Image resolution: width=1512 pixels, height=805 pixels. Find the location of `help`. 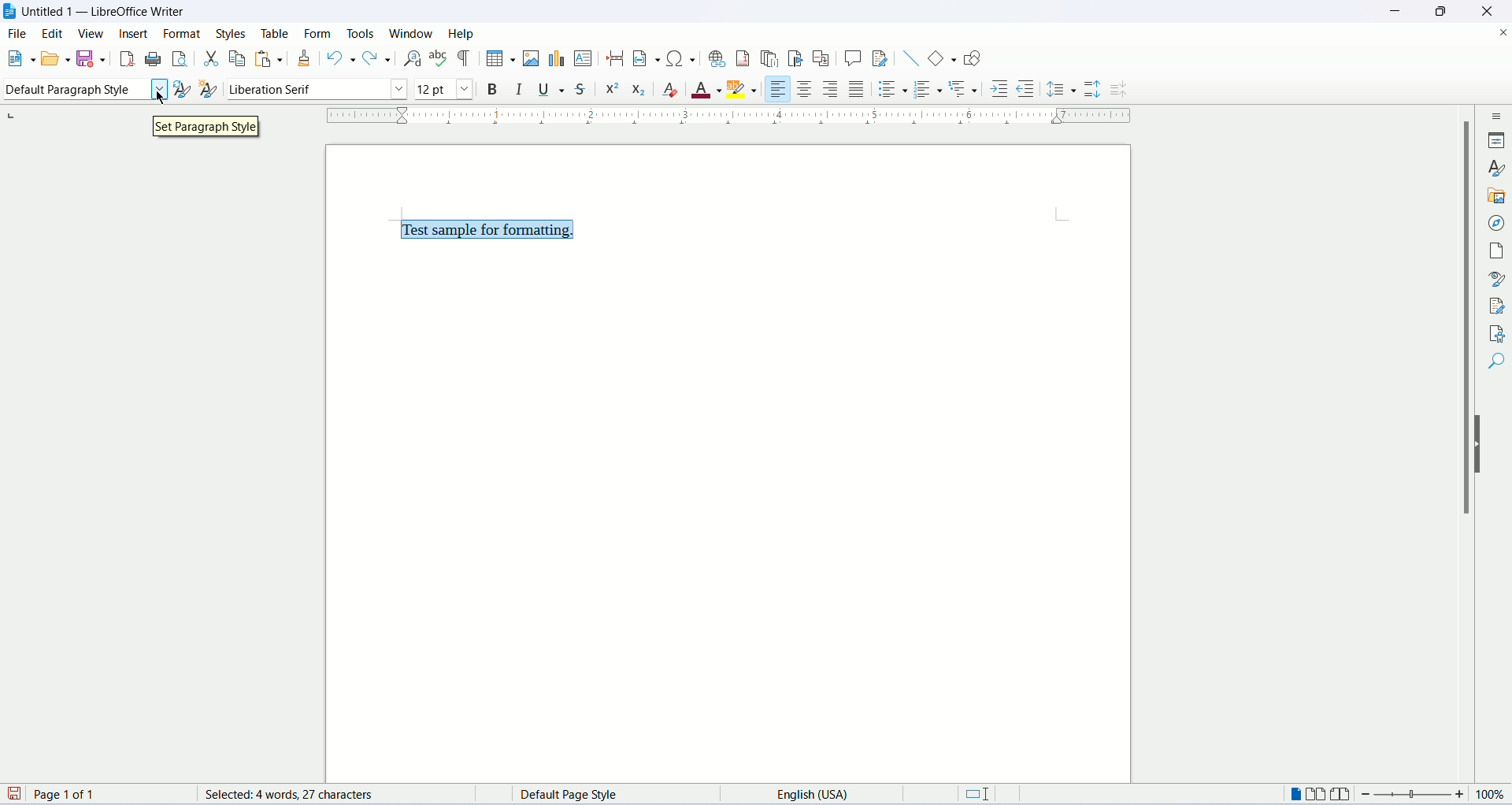

help is located at coordinates (461, 33).